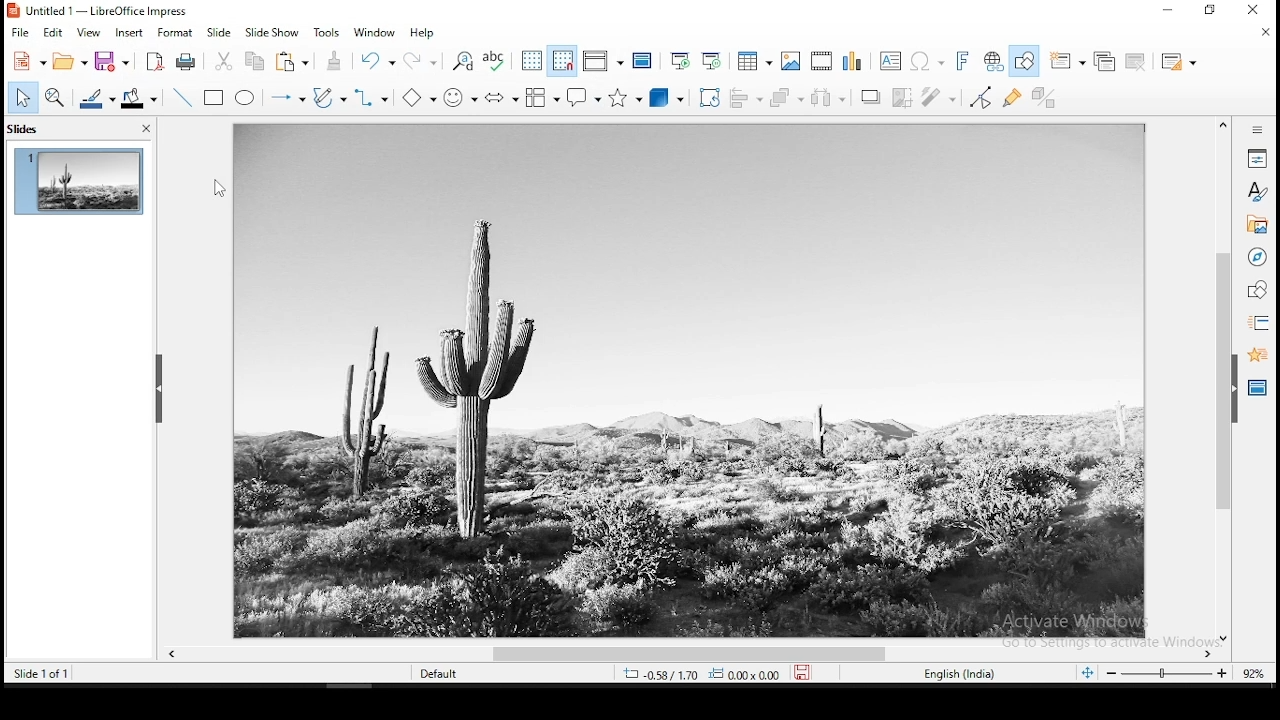 The image size is (1280, 720). Describe the element at coordinates (133, 32) in the screenshot. I see `insert` at that location.